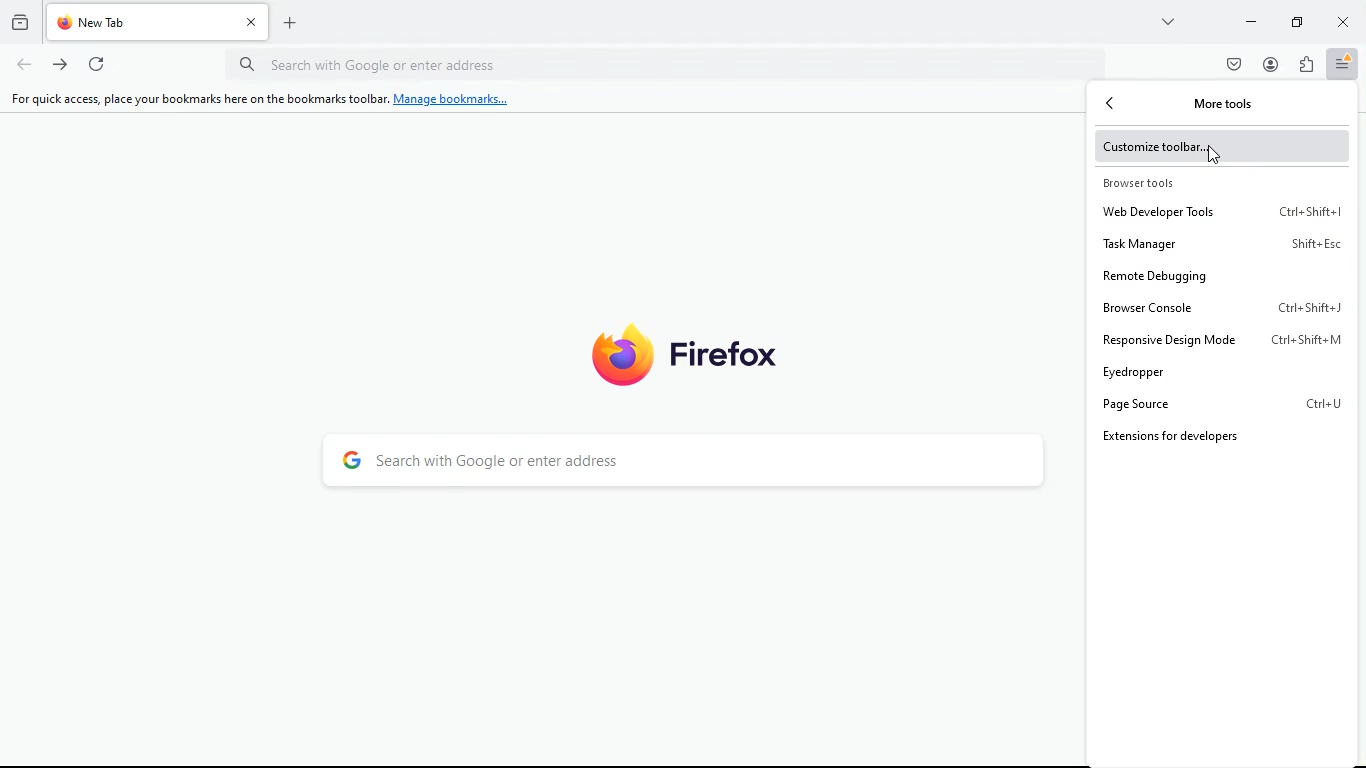 The image size is (1366, 768). Describe the element at coordinates (1165, 21) in the screenshot. I see `more` at that location.